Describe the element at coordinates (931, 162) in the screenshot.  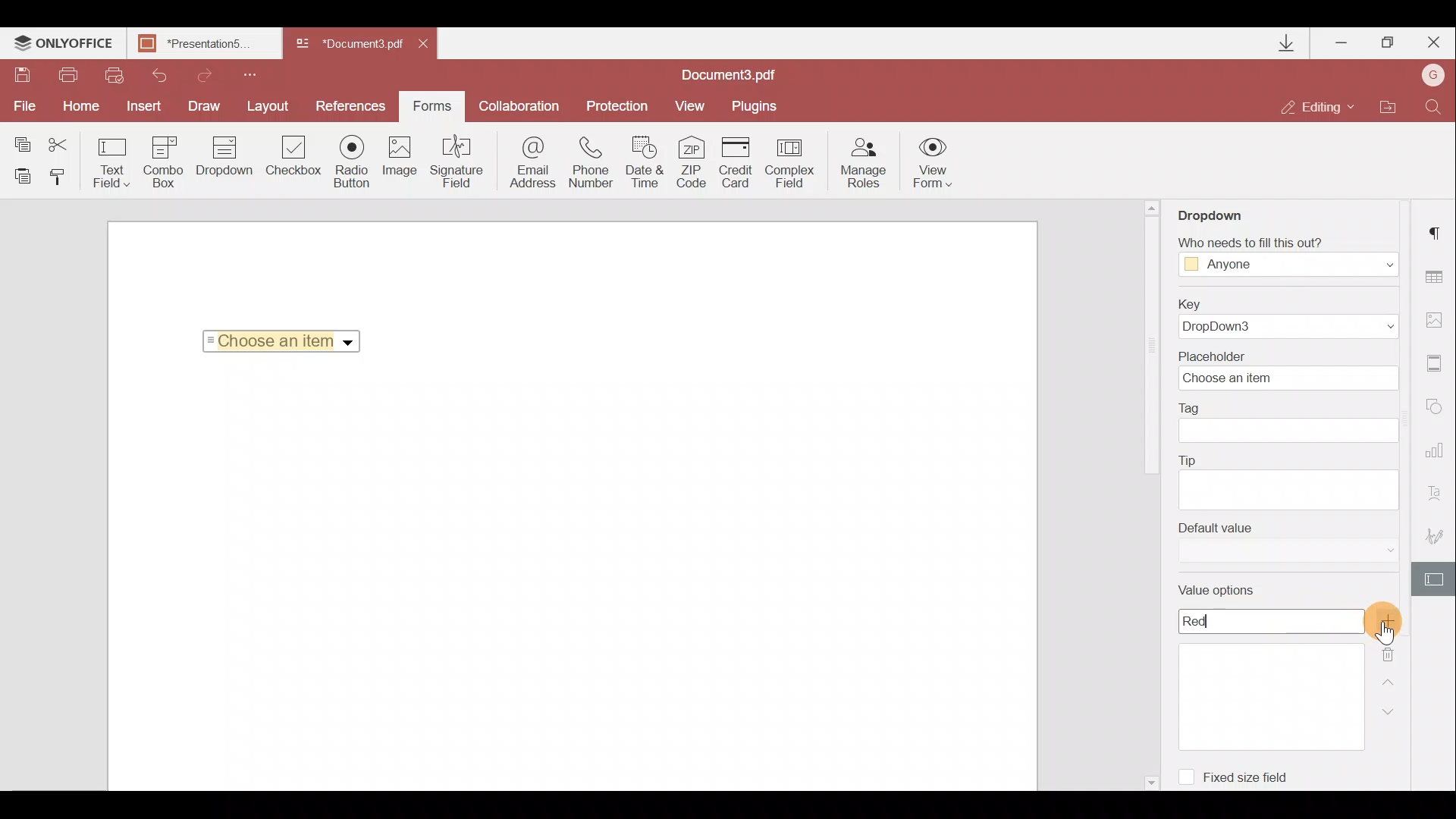
I see `View form` at that location.